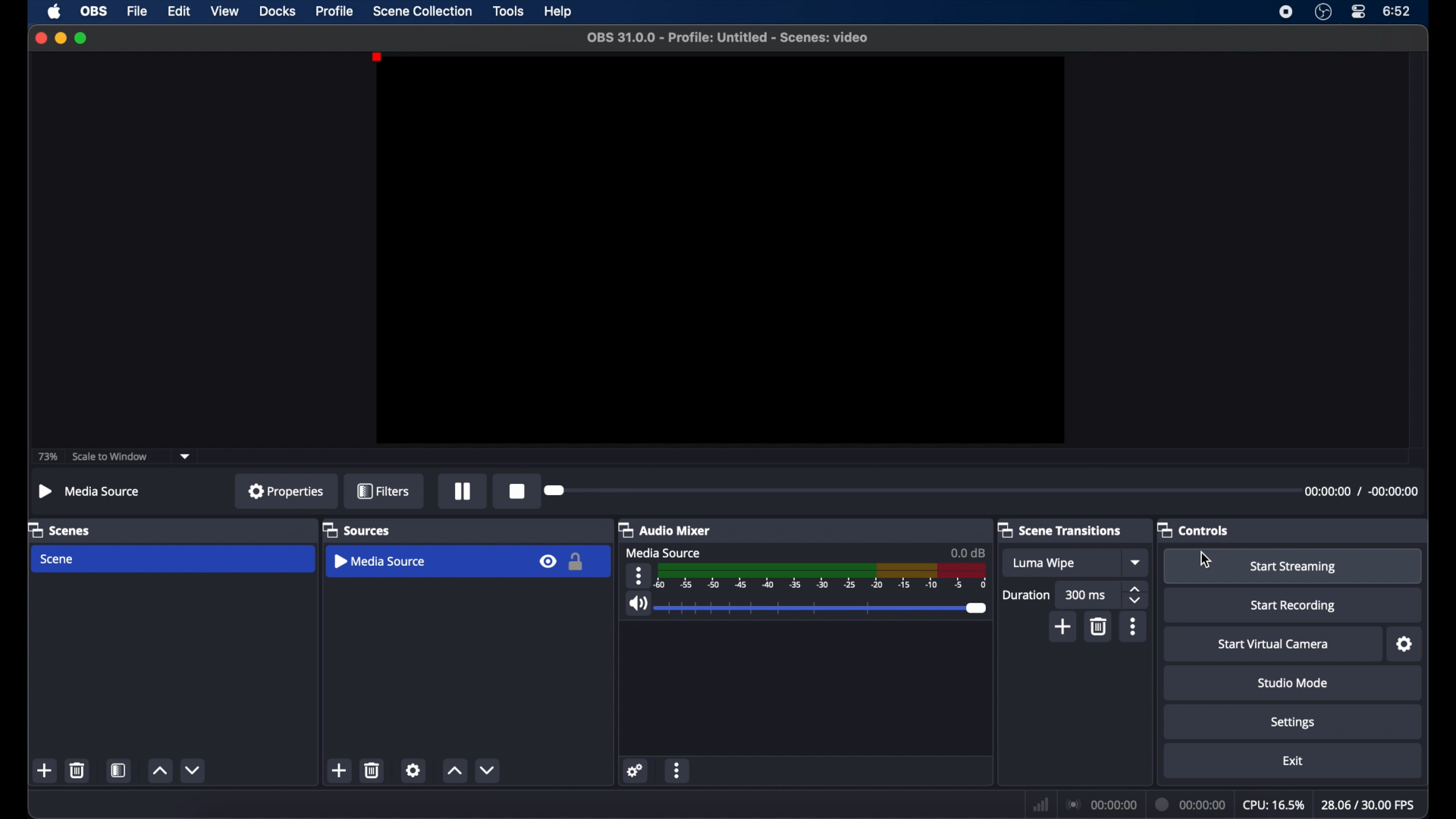 This screenshot has width=1456, height=819. Describe the element at coordinates (1294, 761) in the screenshot. I see `exit` at that location.